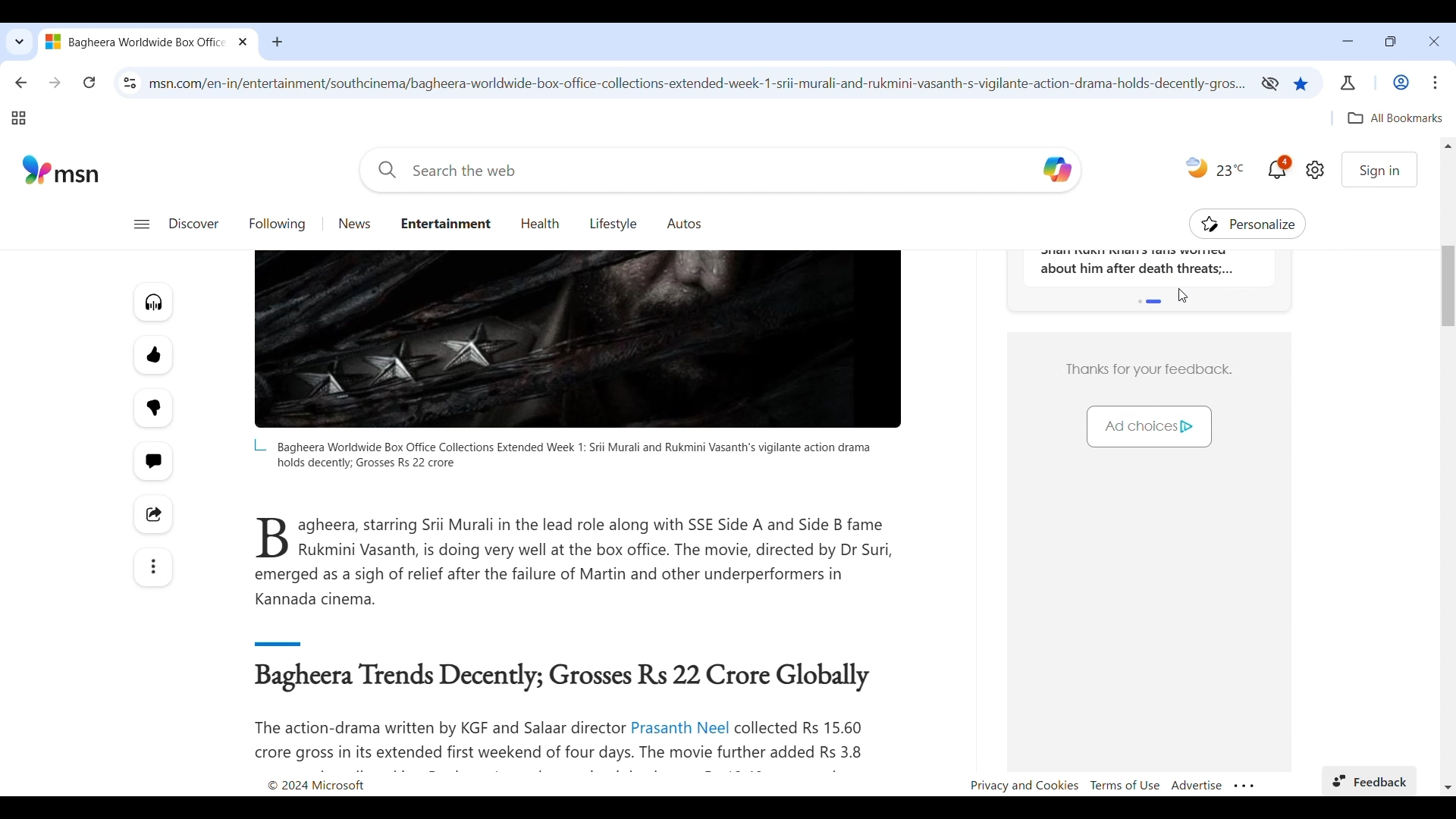  I want to click on Personalize, so click(1248, 224).